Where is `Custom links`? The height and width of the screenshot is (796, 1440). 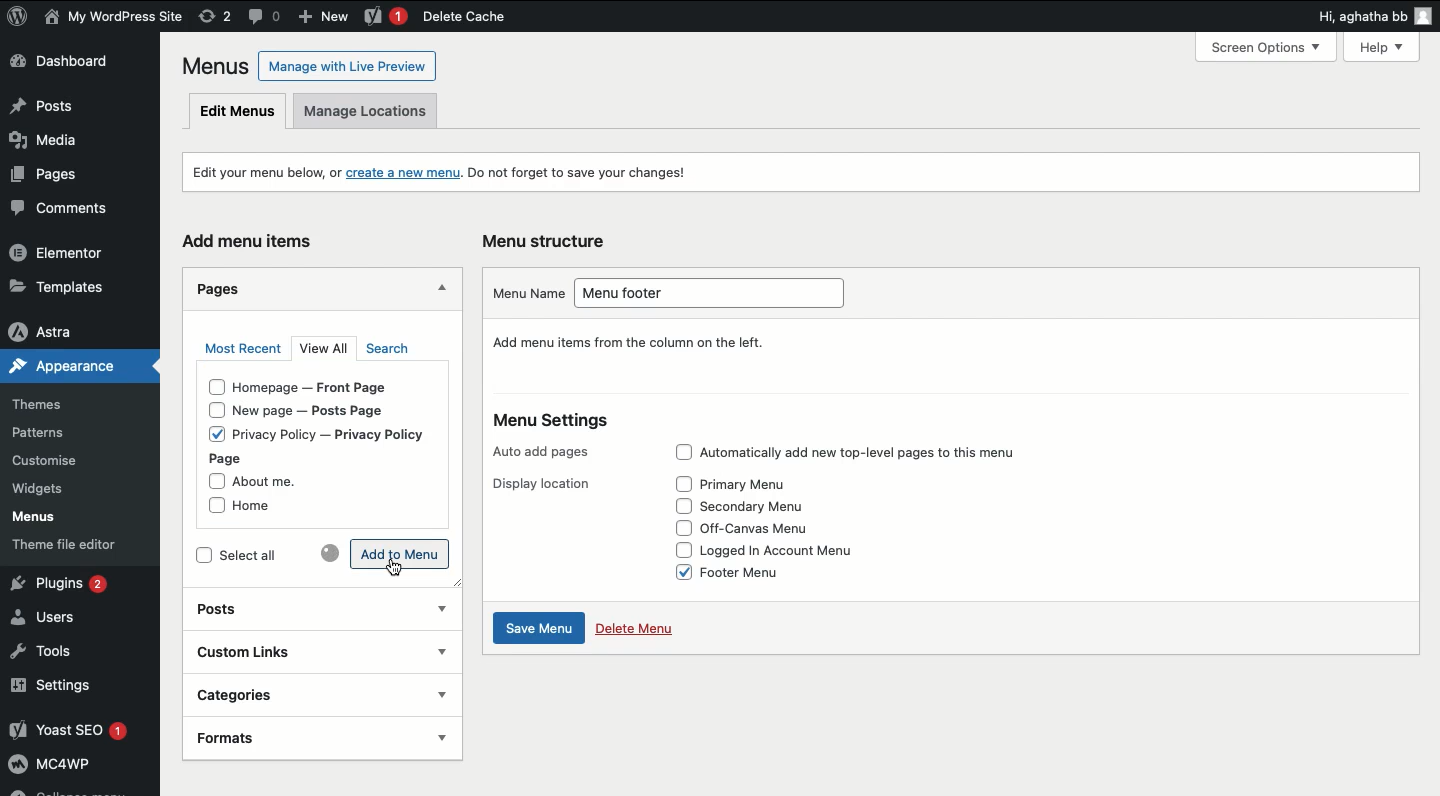
Custom links is located at coordinates (296, 651).